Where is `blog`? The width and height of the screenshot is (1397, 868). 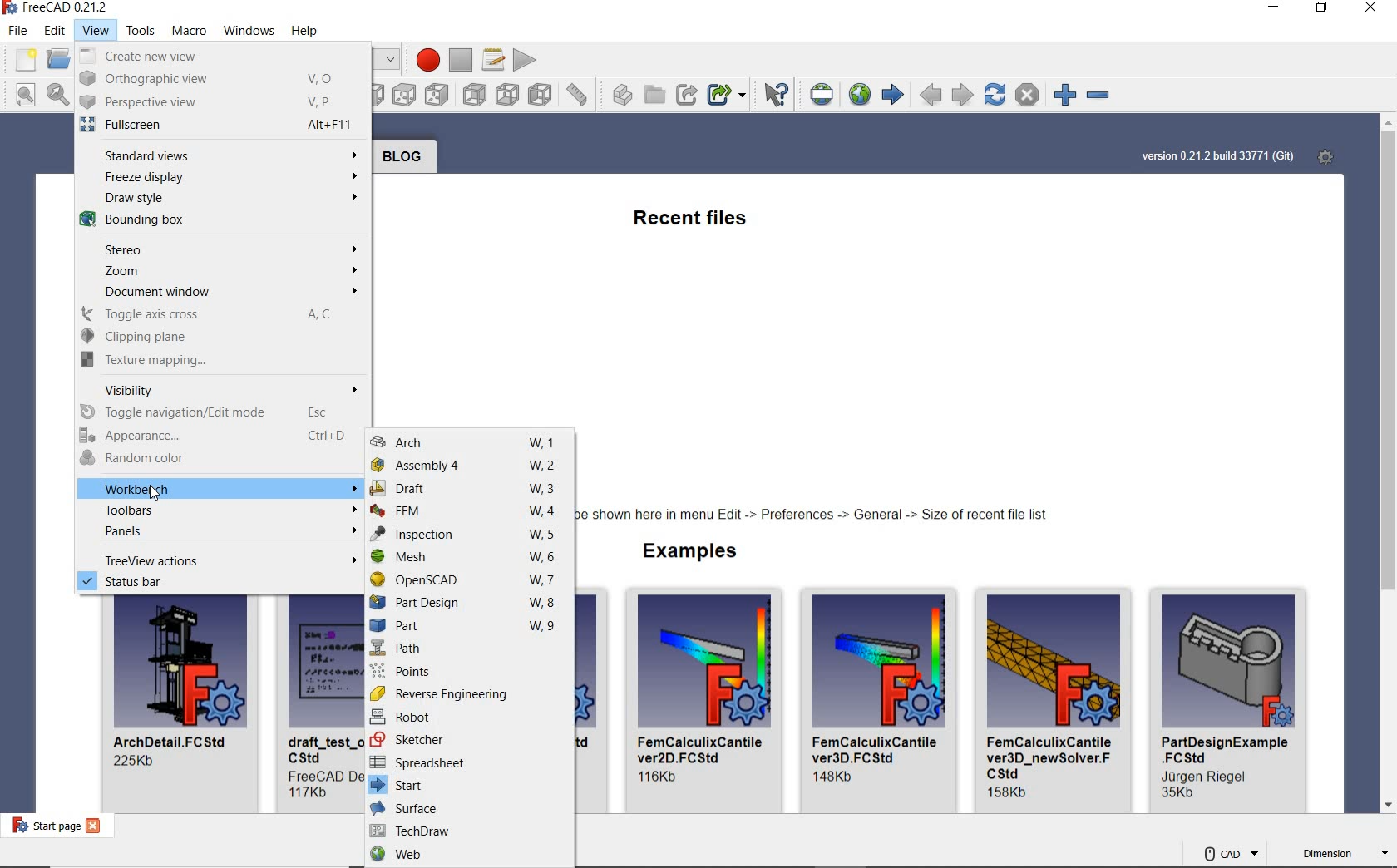
blog is located at coordinates (400, 156).